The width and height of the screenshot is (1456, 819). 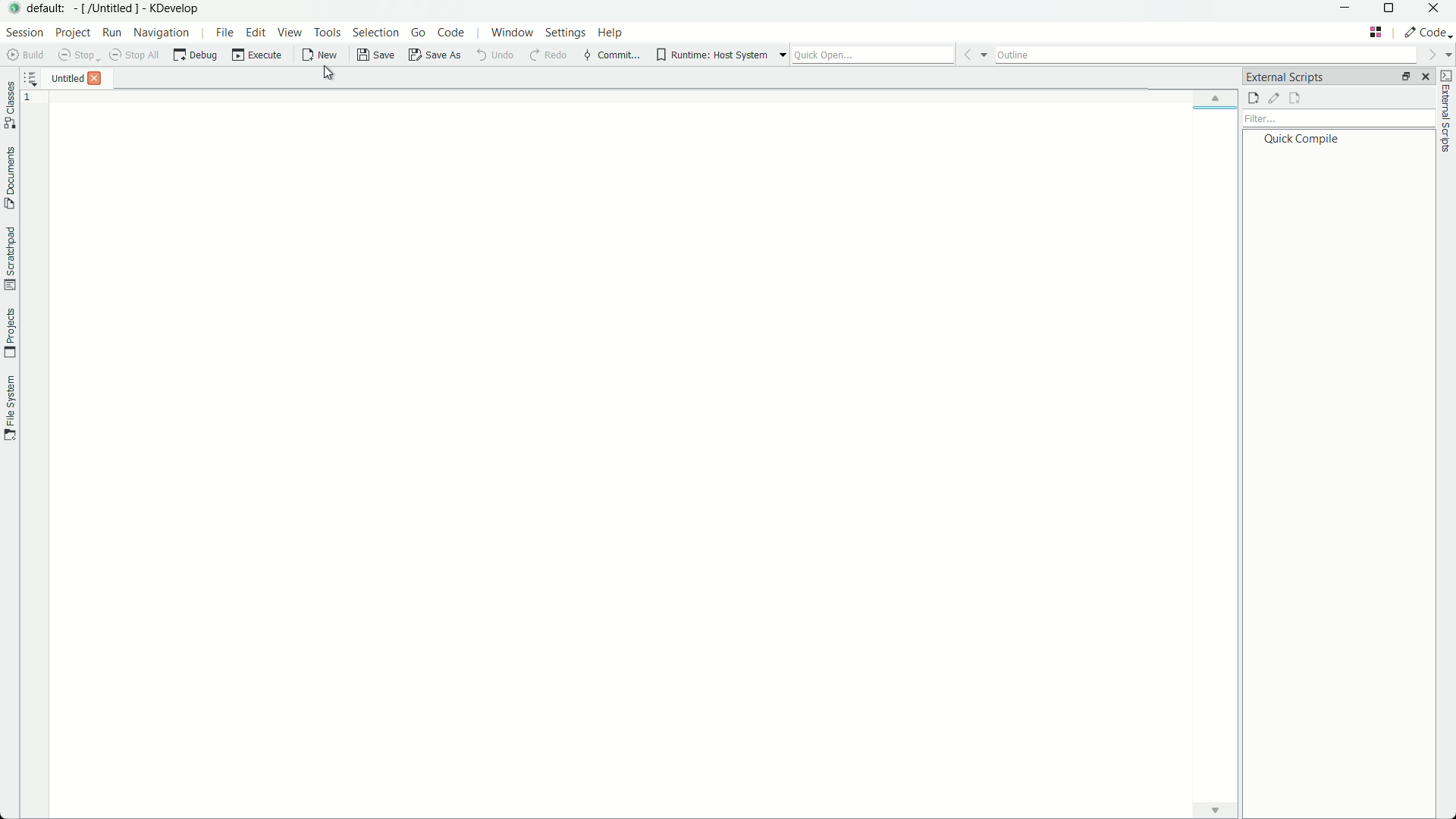 What do you see at coordinates (26, 33) in the screenshot?
I see `session menu` at bounding box center [26, 33].